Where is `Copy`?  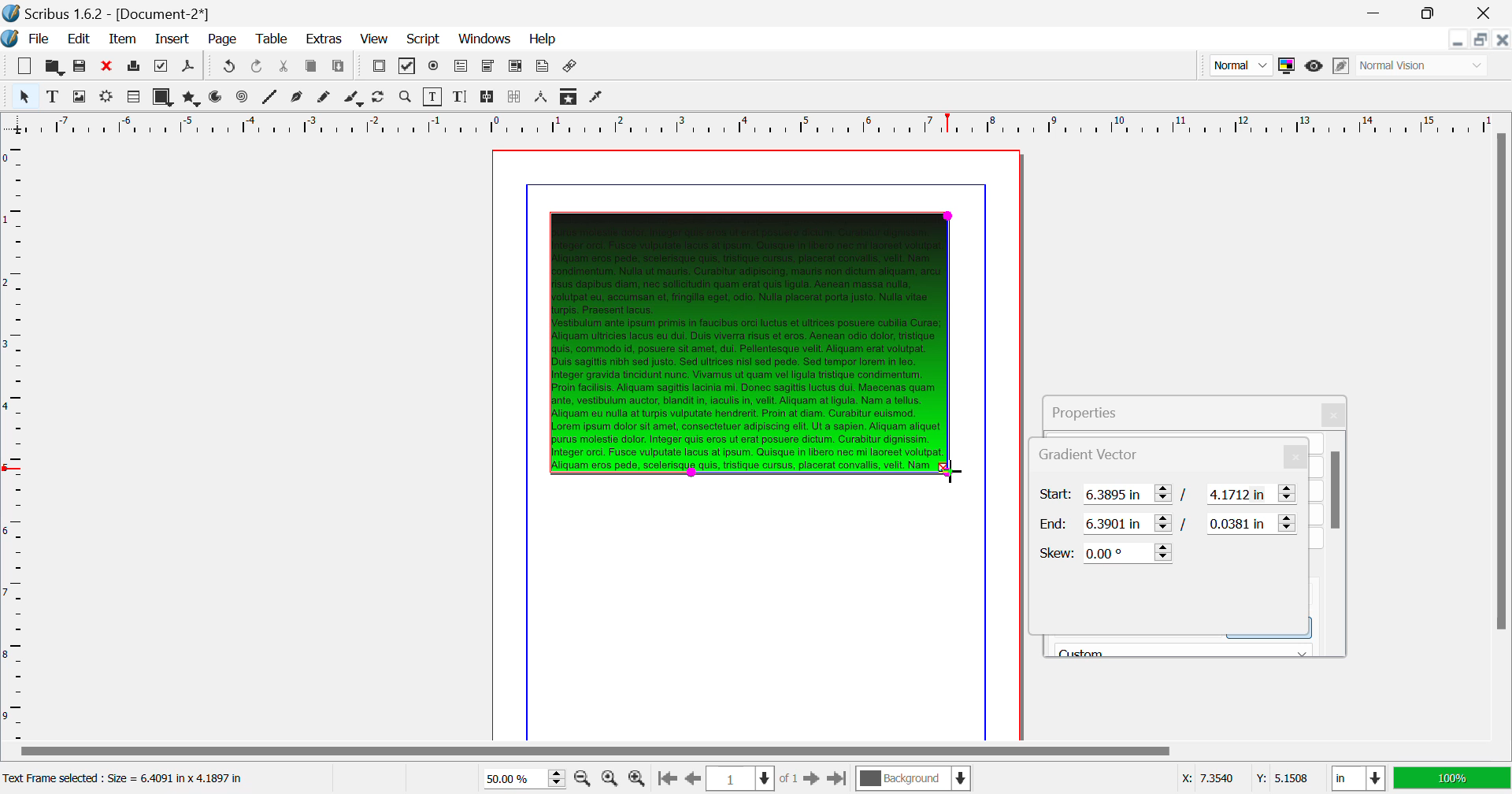
Copy is located at coordinates (312, 69).